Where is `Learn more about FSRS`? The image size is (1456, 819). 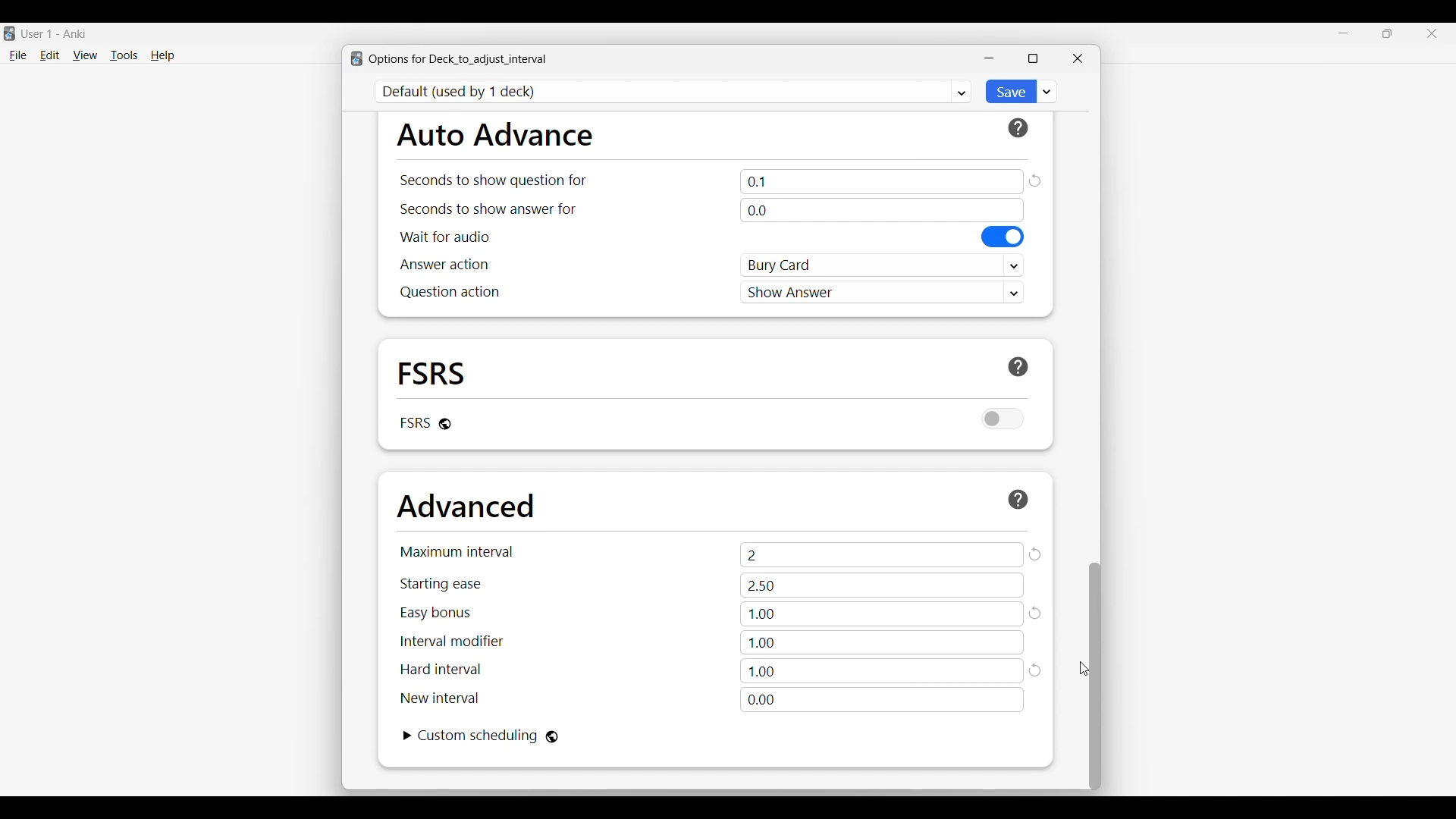
Learn more about FSRS is located at coordinates (1018, 367).